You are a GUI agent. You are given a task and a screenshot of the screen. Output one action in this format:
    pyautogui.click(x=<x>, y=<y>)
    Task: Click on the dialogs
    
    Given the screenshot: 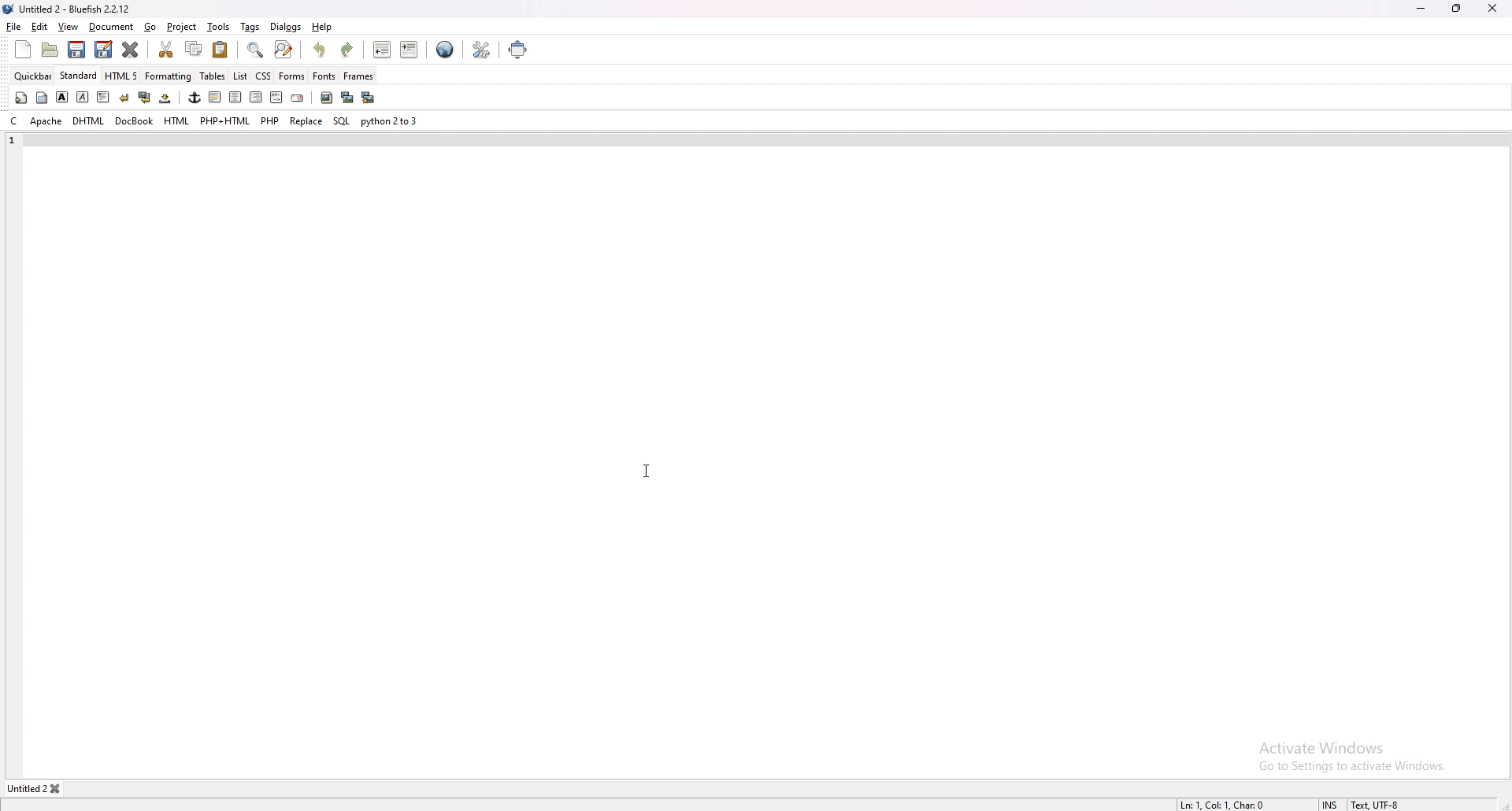 What is the action you would take?
    pyautogui.click(x=287, y=26)
    